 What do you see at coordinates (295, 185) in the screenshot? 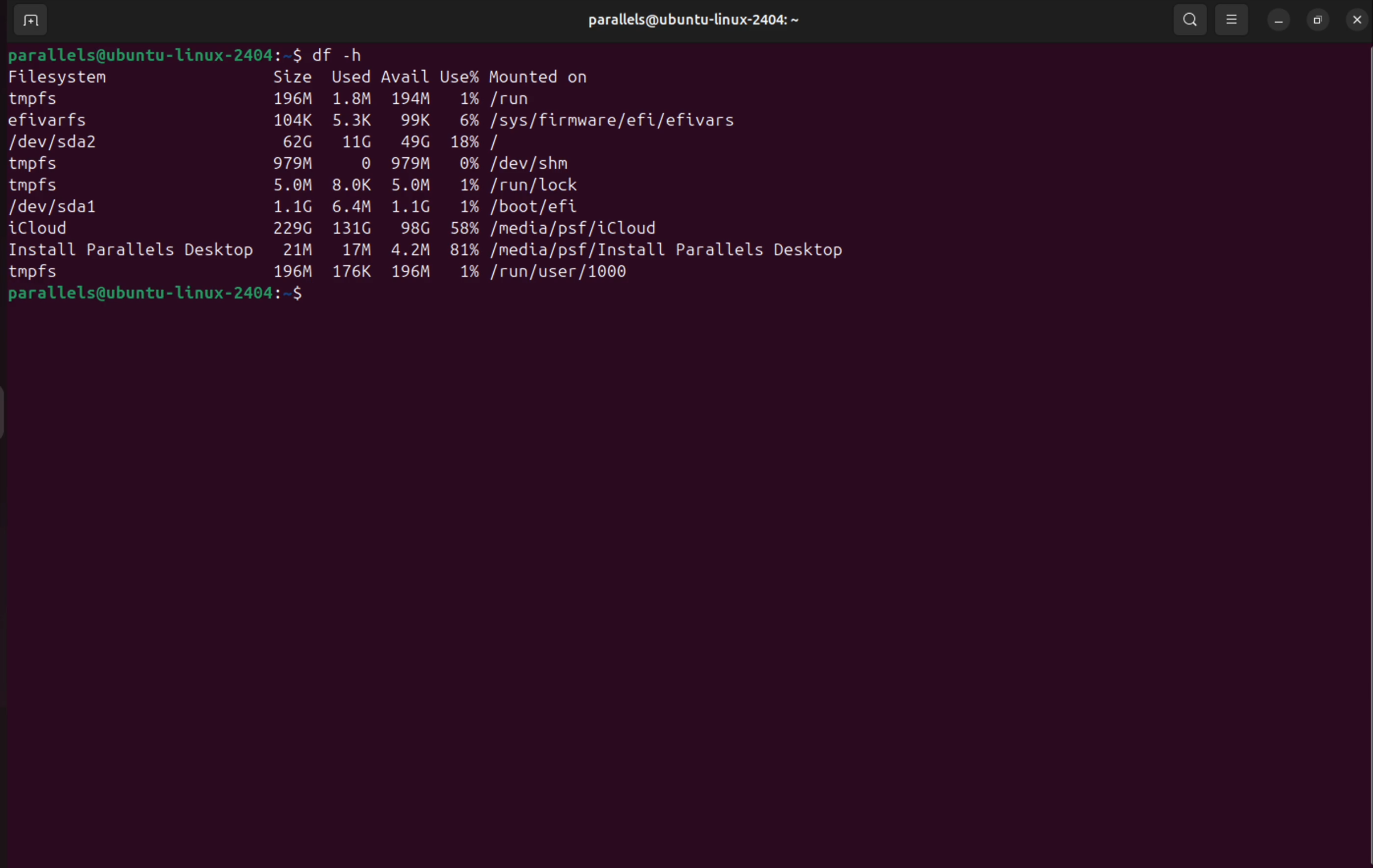
I see `5.om` at bounding box center [295, 185].